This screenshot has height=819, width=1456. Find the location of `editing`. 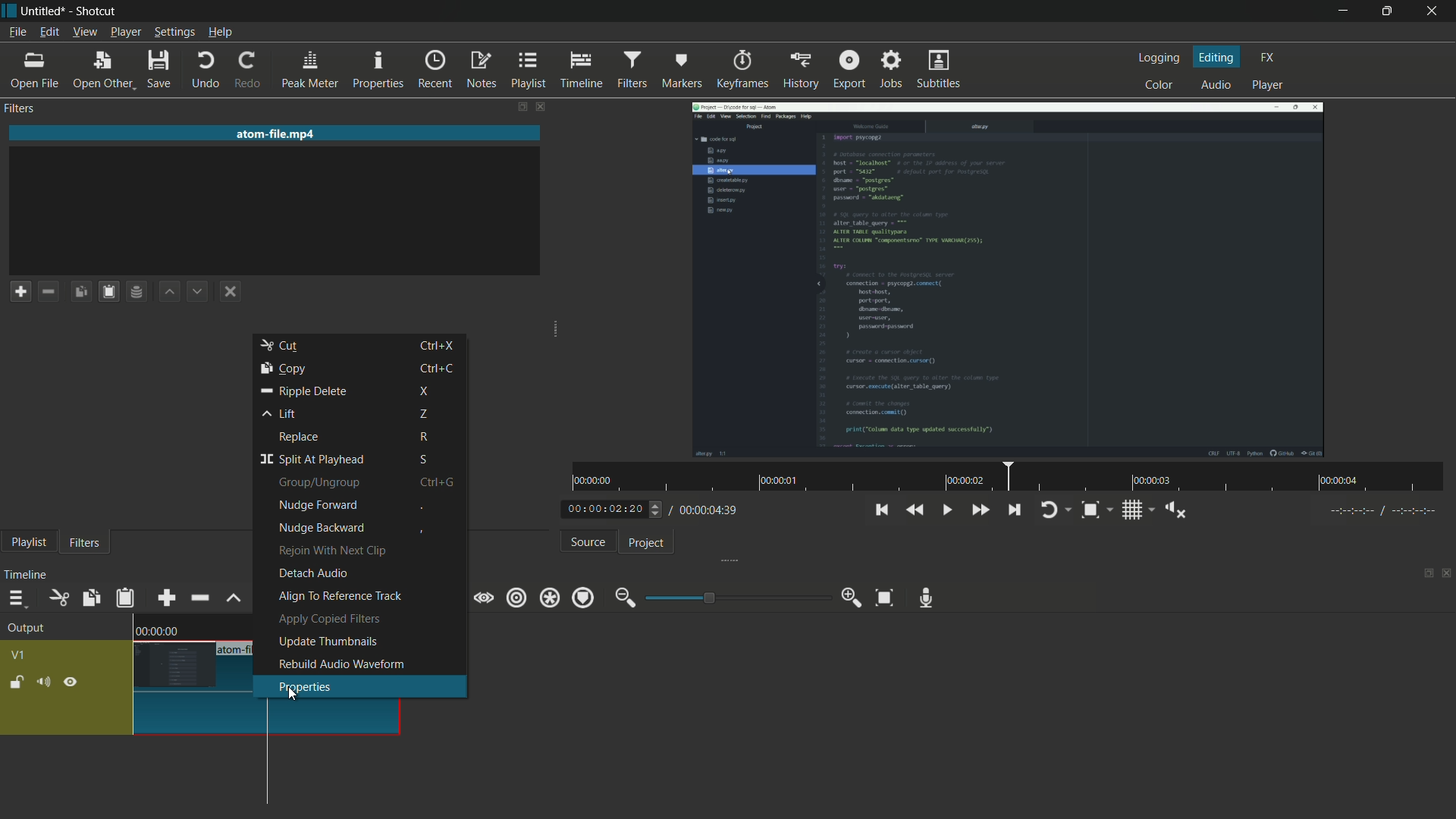

editing is located at coordinates (1218, 58).